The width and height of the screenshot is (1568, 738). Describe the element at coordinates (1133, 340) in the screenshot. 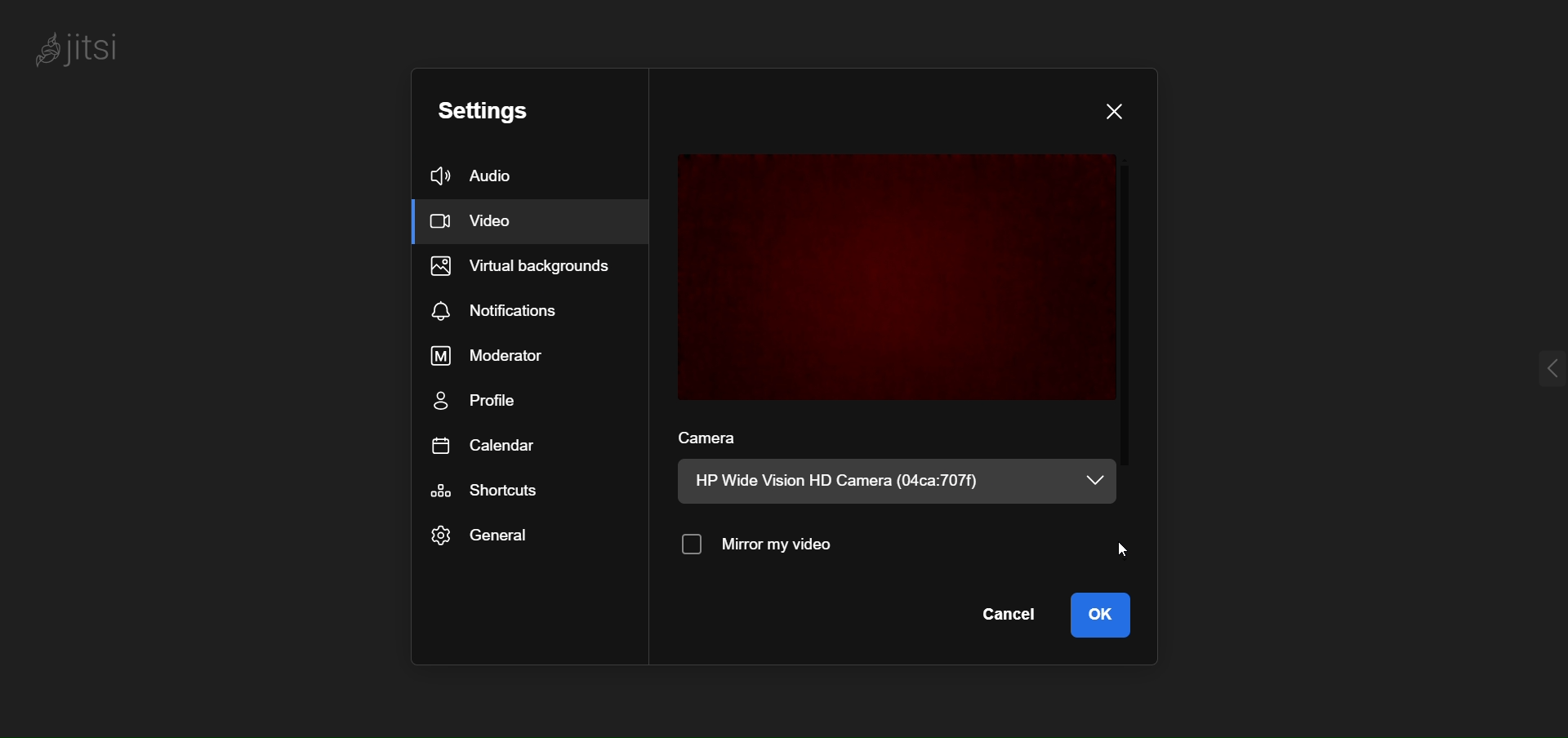

I see `scroll bar` at that location.